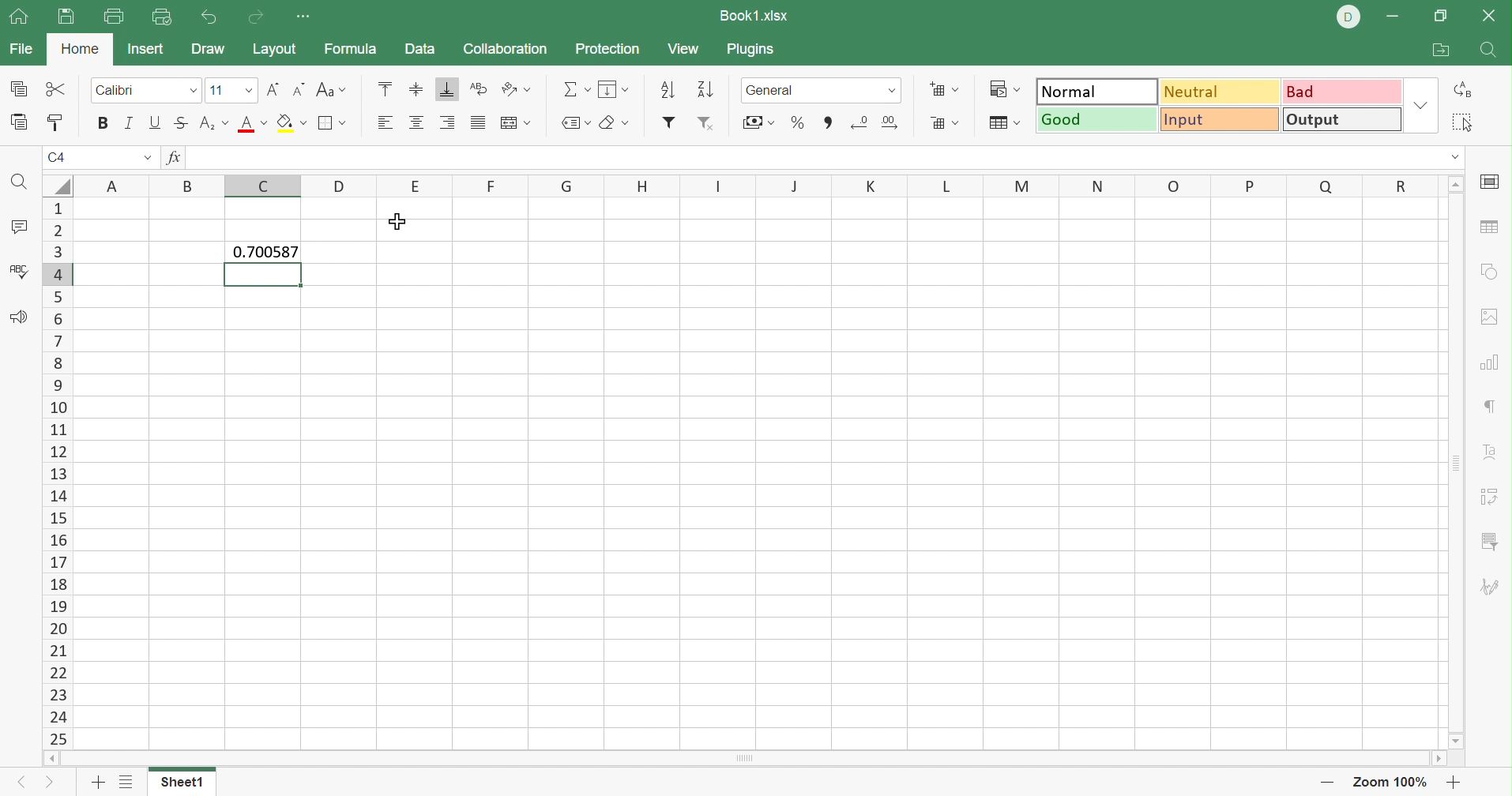  Describe the element at coordinates (614, 125) in the screenshot. I see `Clear` at that location.